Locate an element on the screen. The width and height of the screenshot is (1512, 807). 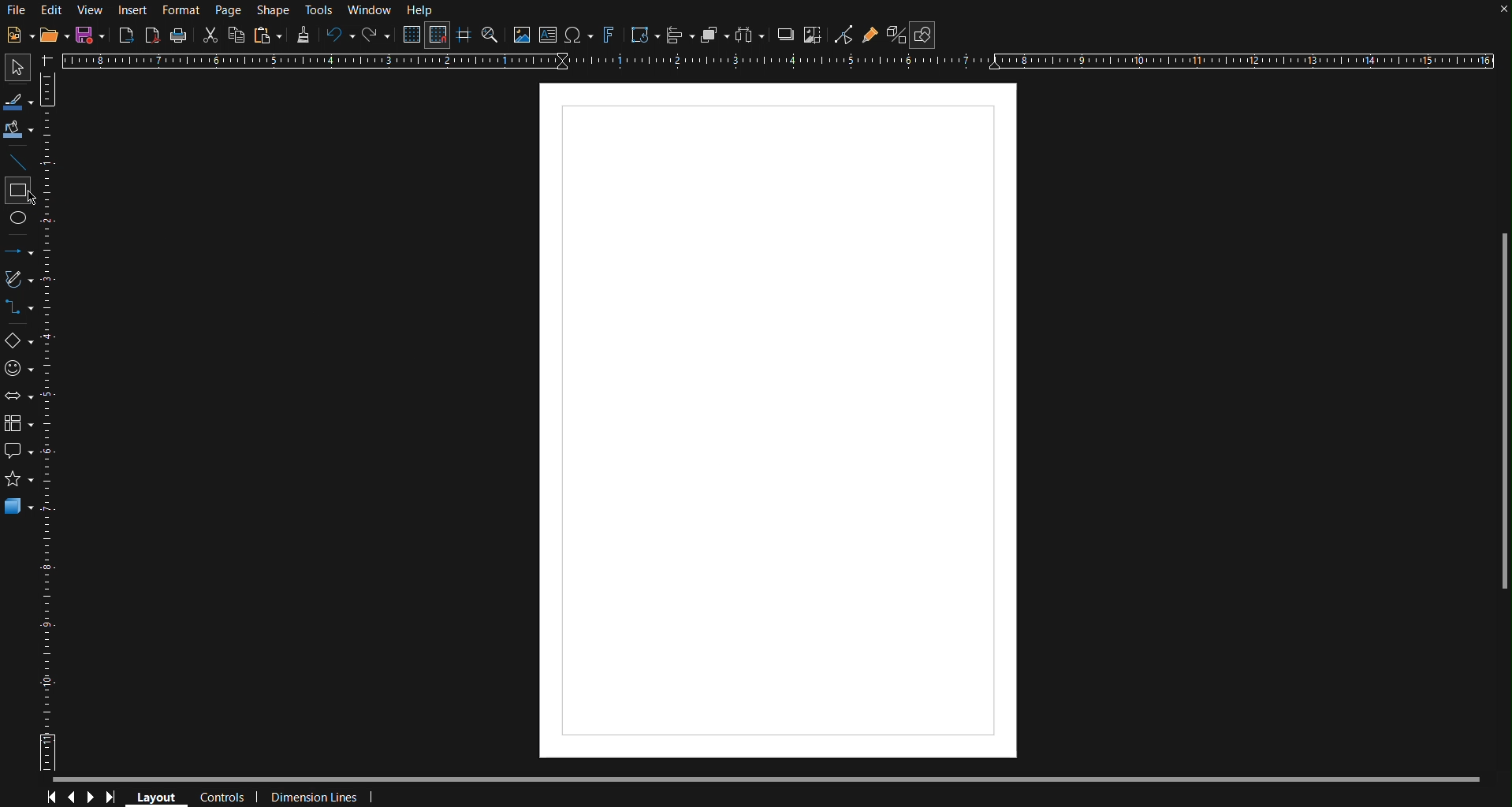
Display Grid is located at coordinates (413, 34).